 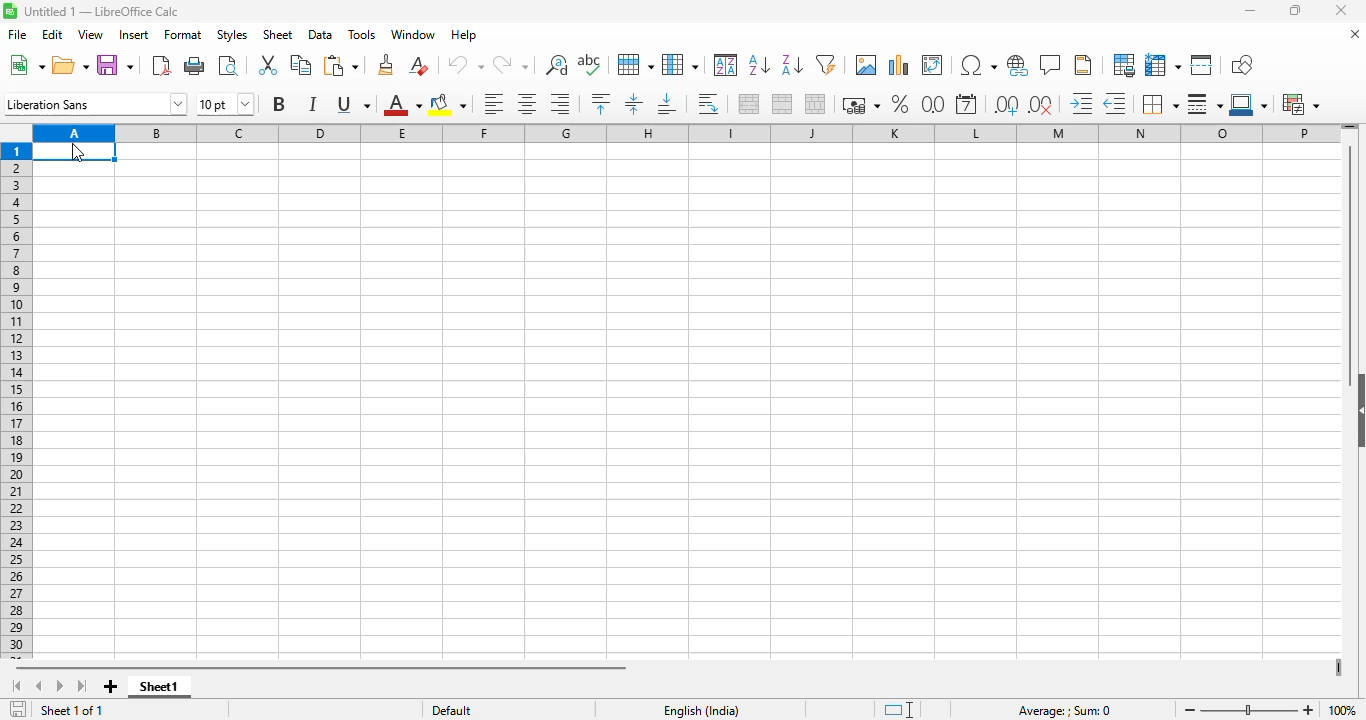 I want to click on open, so click(x=71, y=65).